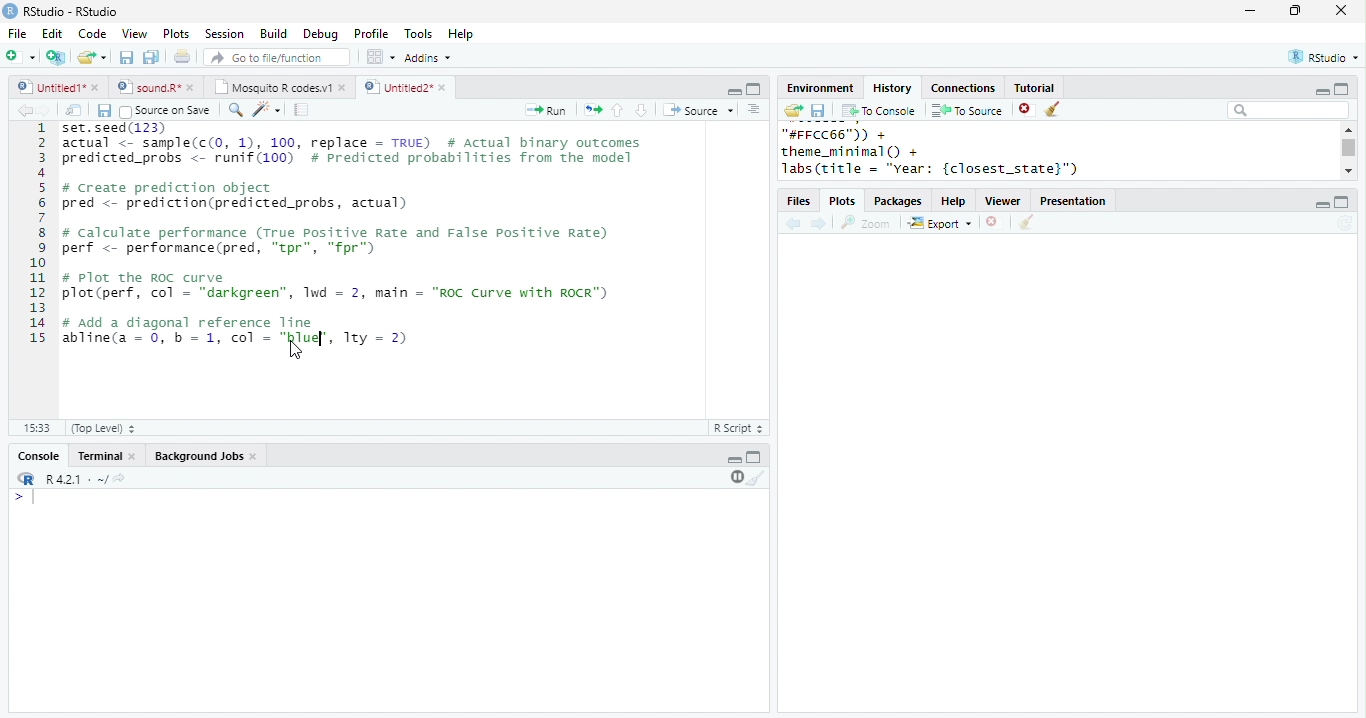 This screenshot has width=1366, height=718. Describe the element at coordinates (1321, 92) in the screenshot. I see `minimize` at that location.